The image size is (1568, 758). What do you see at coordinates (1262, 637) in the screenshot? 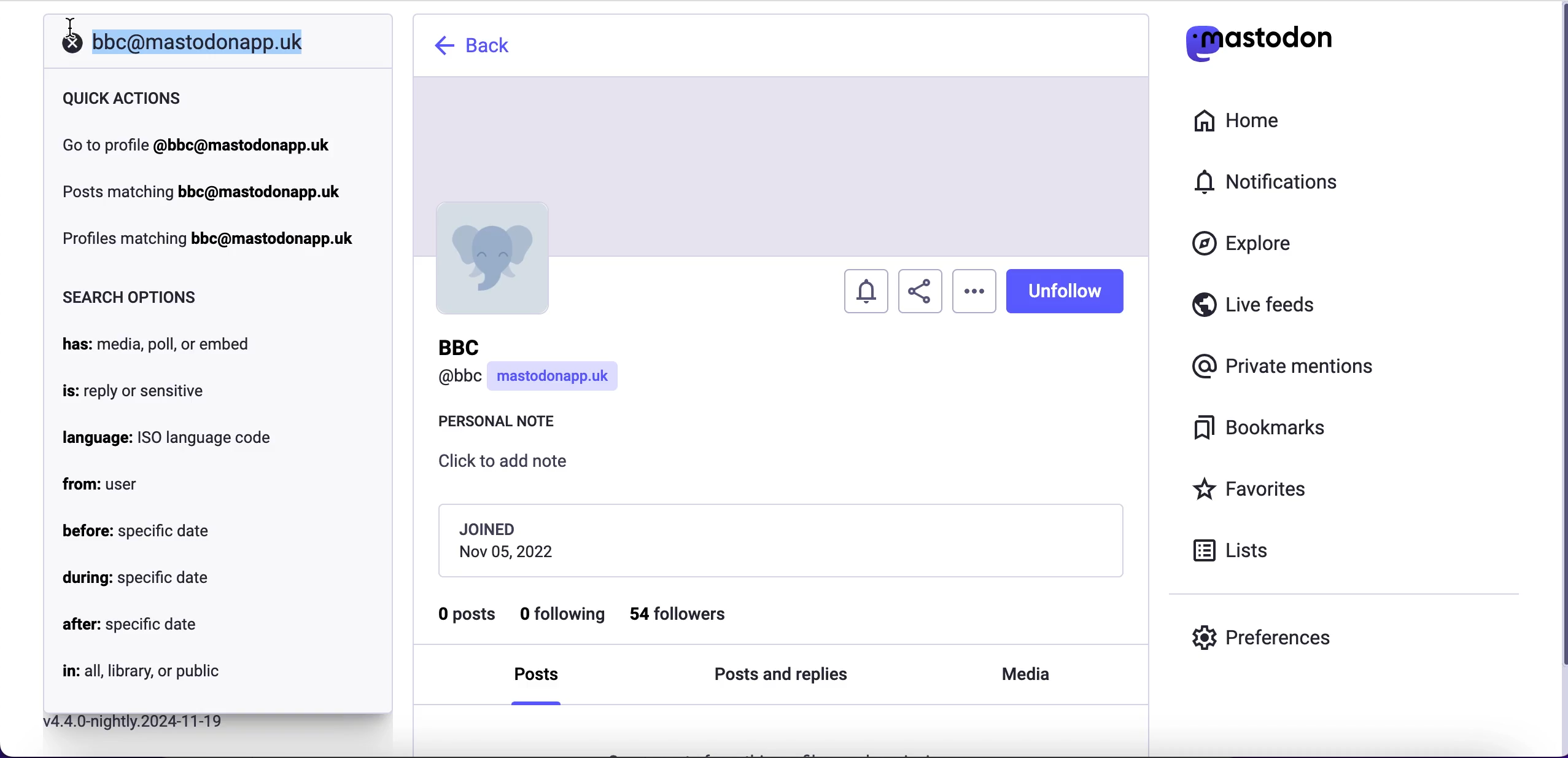
I see `preferences` at bounding box center [1262, 637].